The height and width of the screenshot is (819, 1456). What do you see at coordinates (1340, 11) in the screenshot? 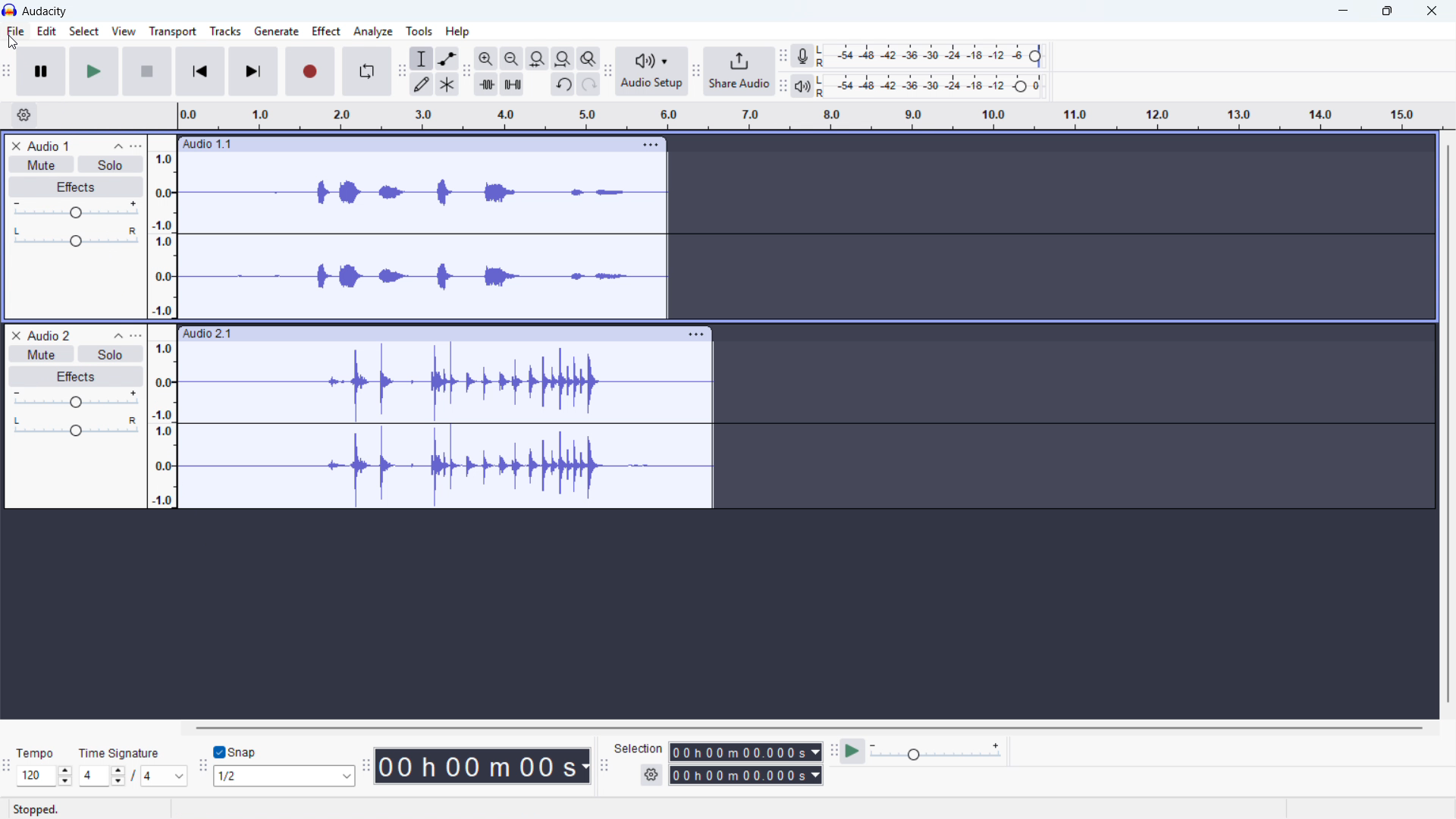
I see `minimise ` at bounding box center [1340, 11].